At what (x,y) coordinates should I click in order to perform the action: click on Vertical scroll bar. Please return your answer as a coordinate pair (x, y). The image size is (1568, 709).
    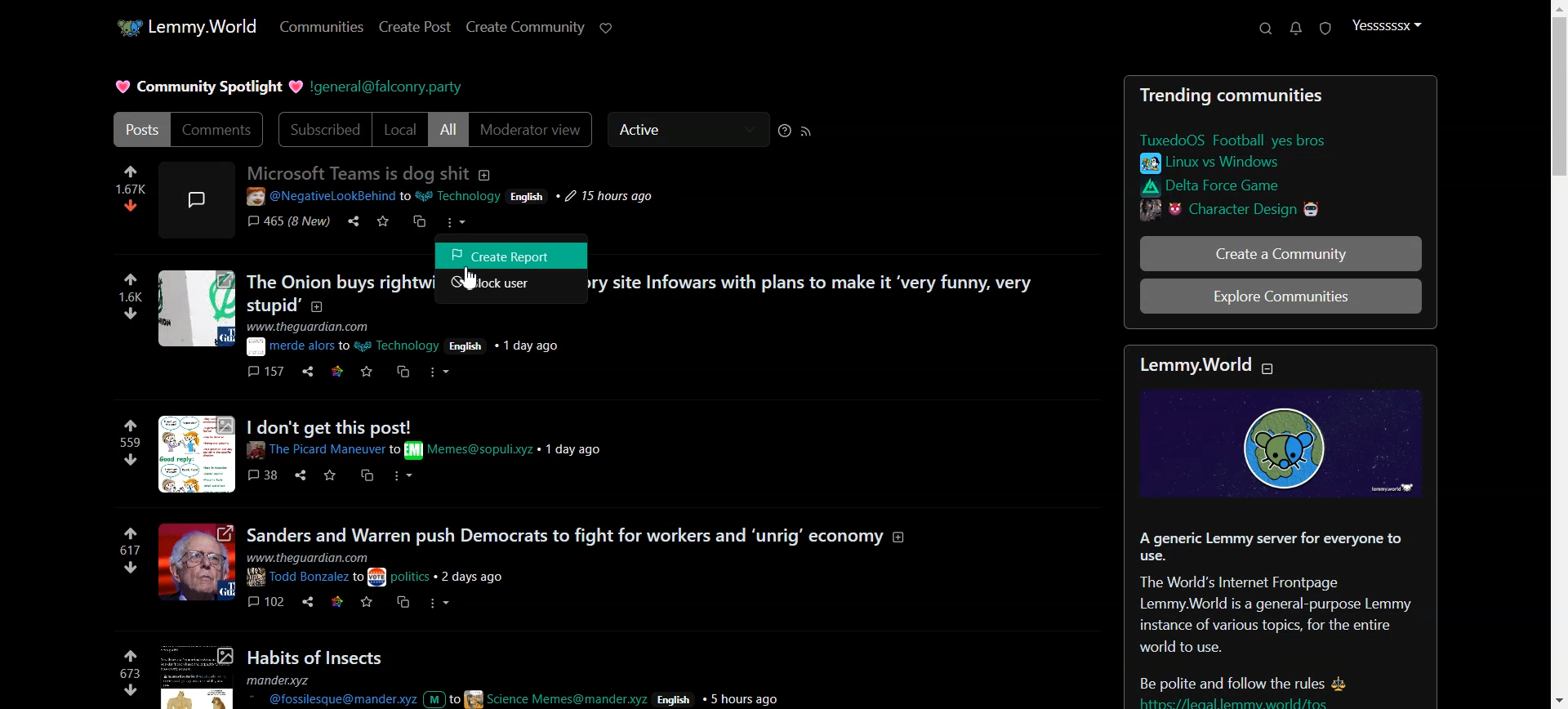
    Looking at the image, I should click on (1557, 354).